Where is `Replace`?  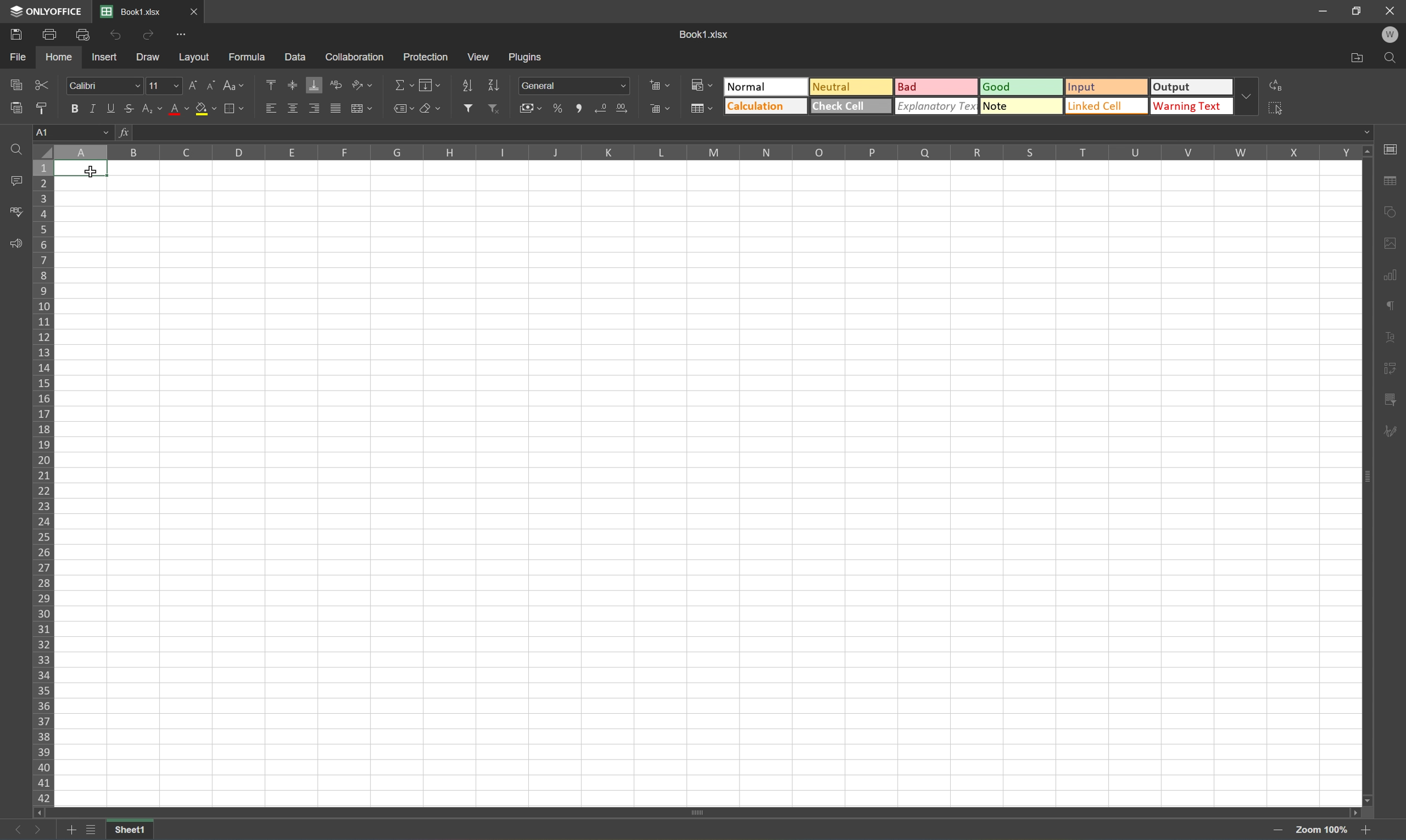
Replace is located at coordinates (1279, 86).